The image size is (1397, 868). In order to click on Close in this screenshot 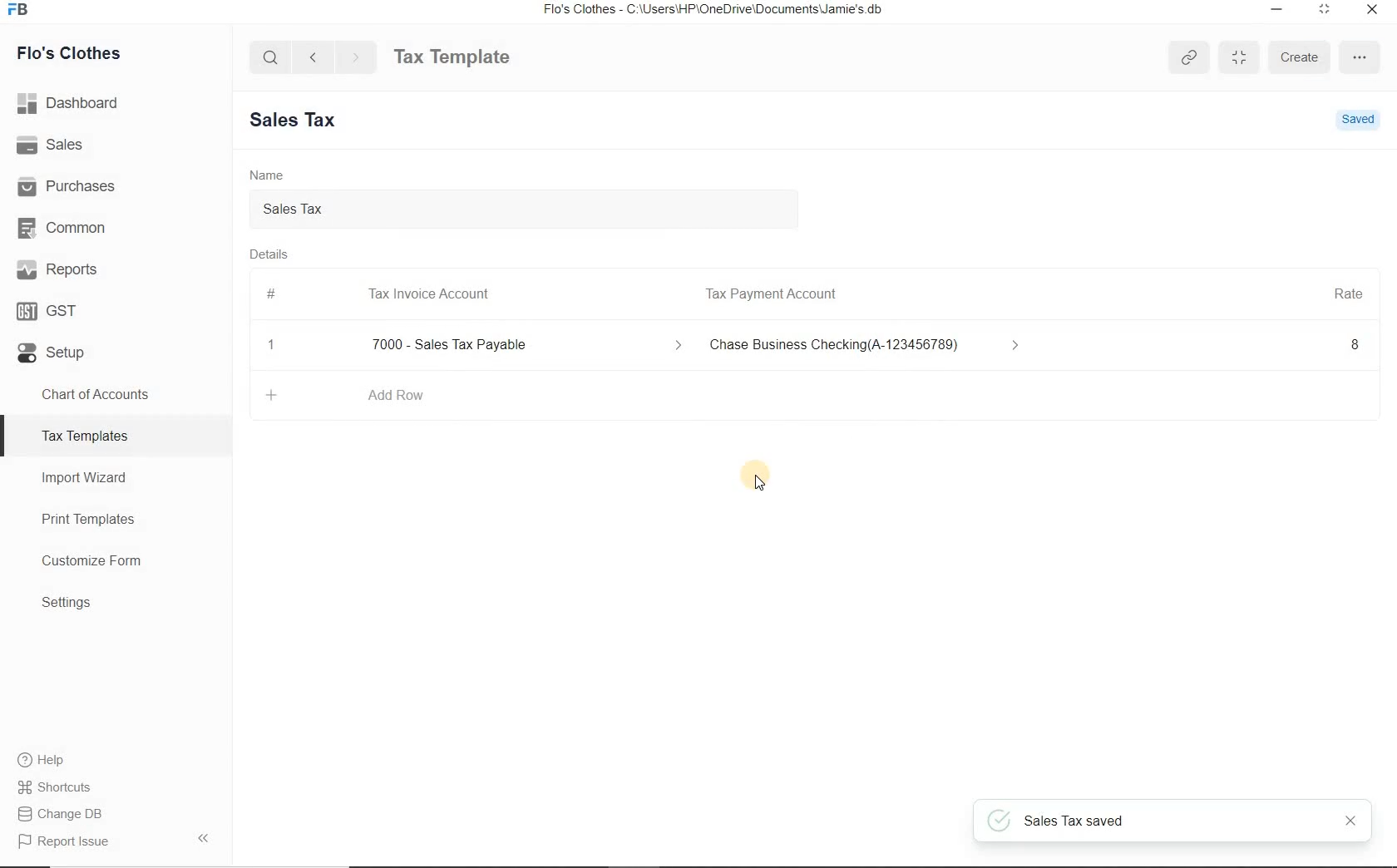, I will do `click(272, 345)`.